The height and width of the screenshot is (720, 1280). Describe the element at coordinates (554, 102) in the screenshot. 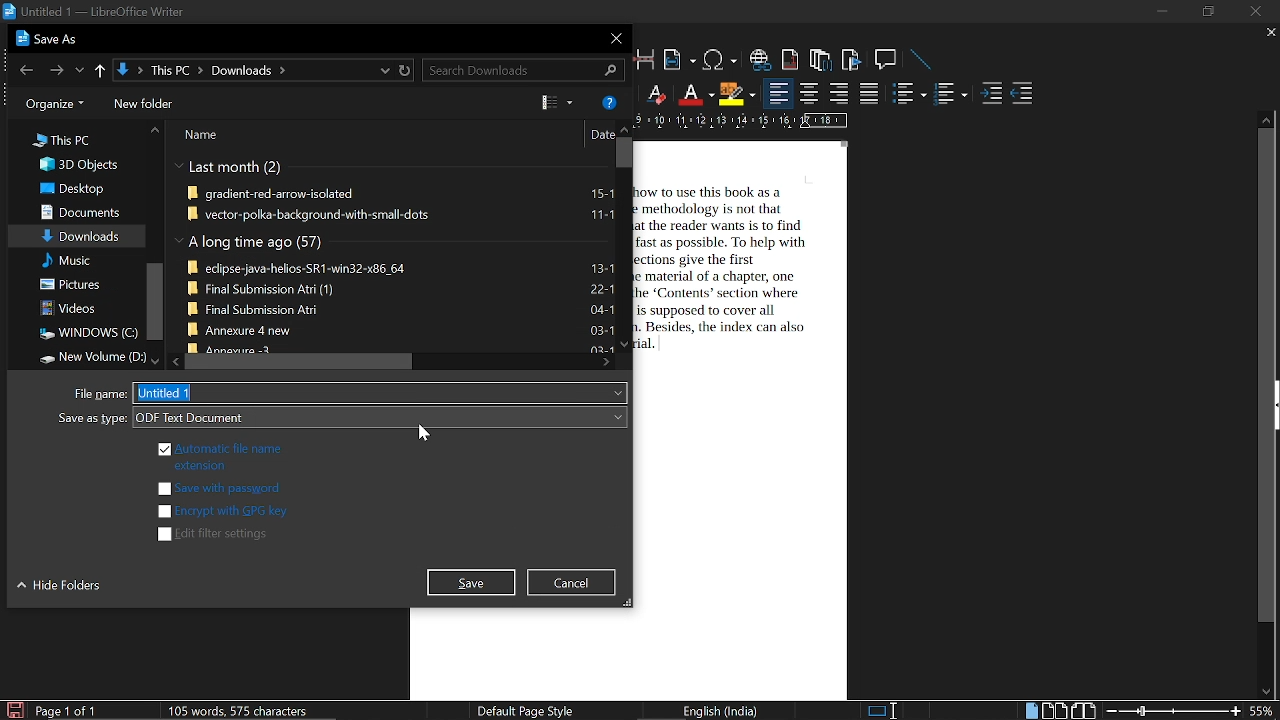

I see `preview pane` at that location.